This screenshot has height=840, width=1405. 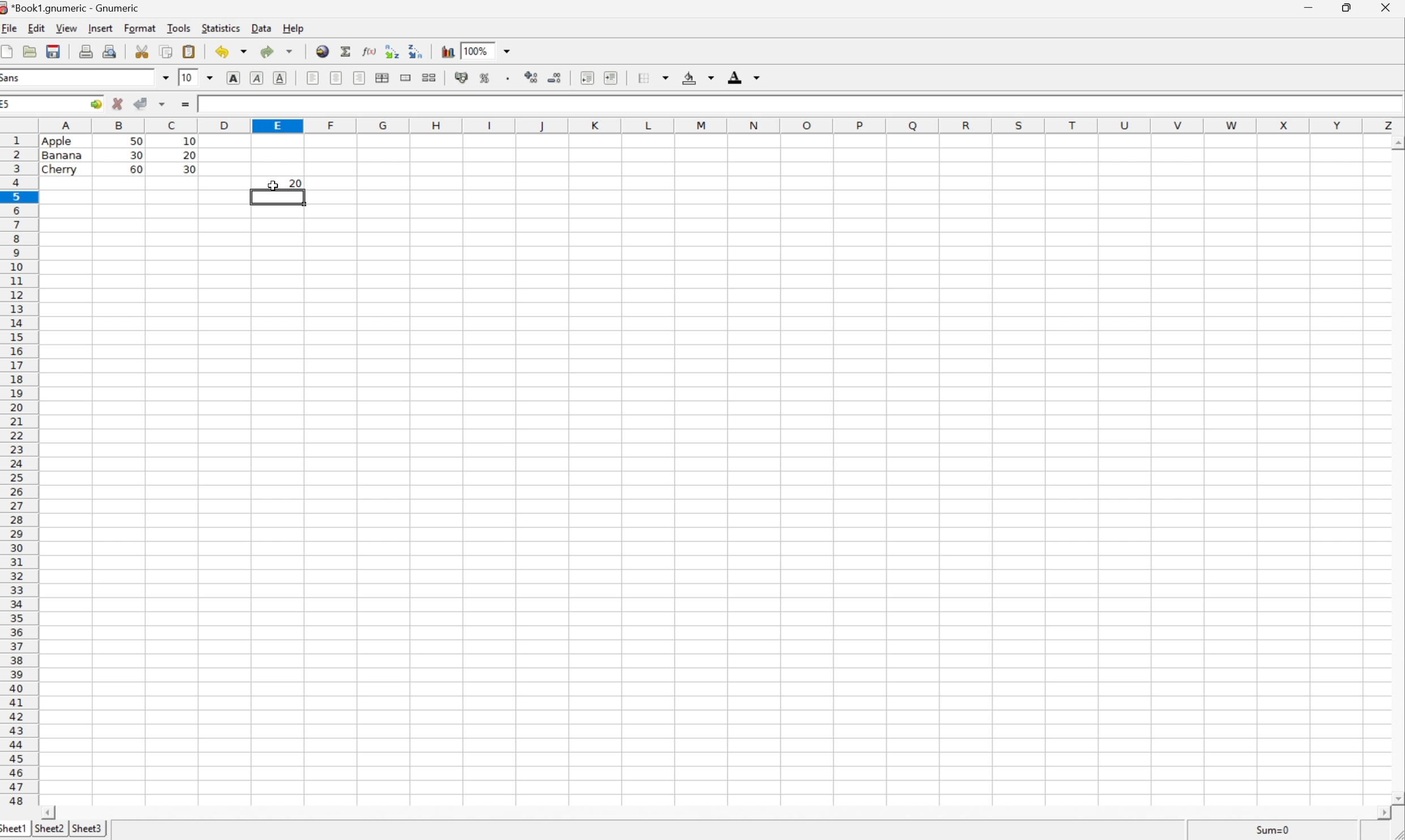 I want to click on format, so click(x=140, y=28).